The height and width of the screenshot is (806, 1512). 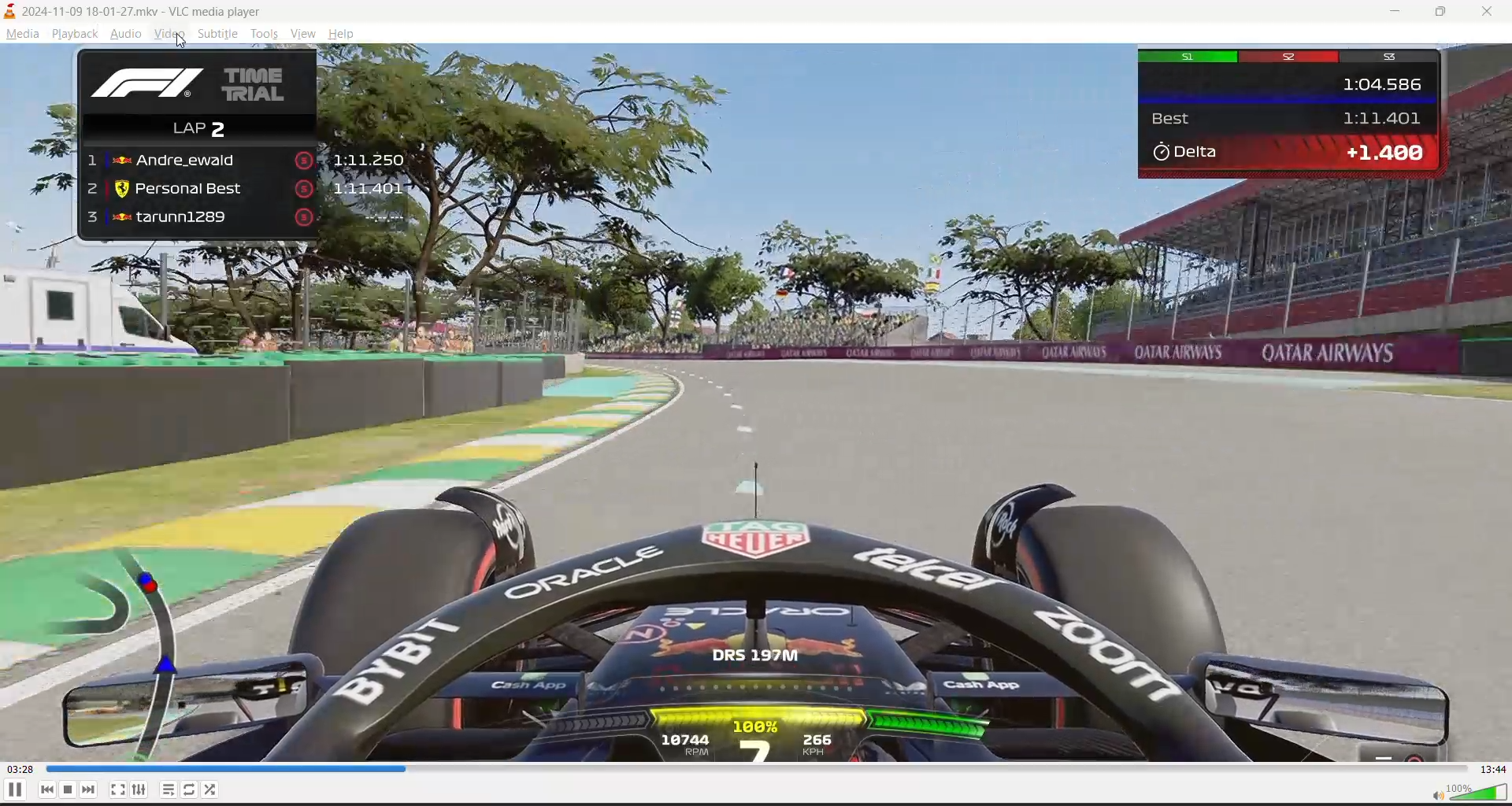 I want to click on stop, so click(x=70, y=789).